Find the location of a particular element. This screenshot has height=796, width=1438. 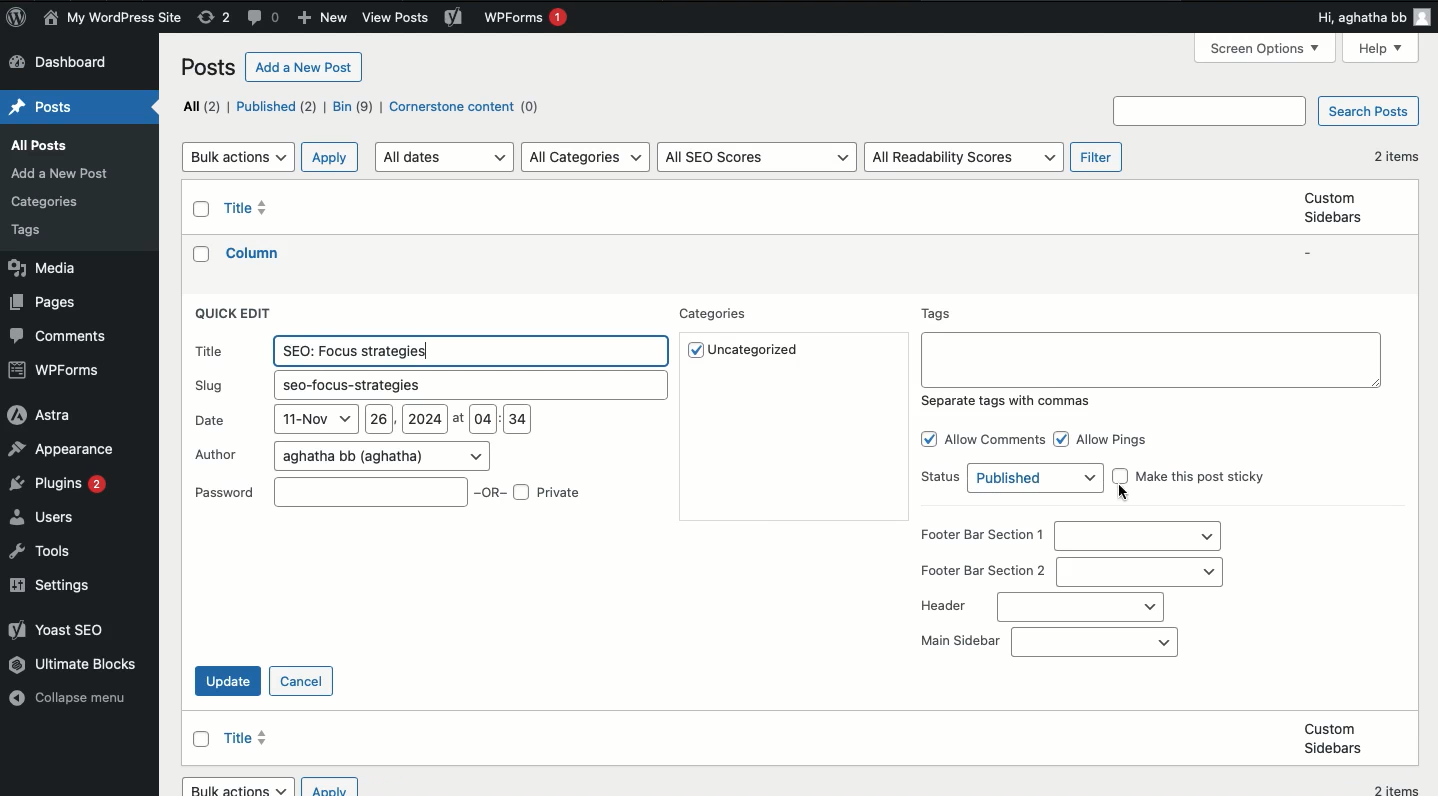

Plugins is located at coordinates (56, 483).